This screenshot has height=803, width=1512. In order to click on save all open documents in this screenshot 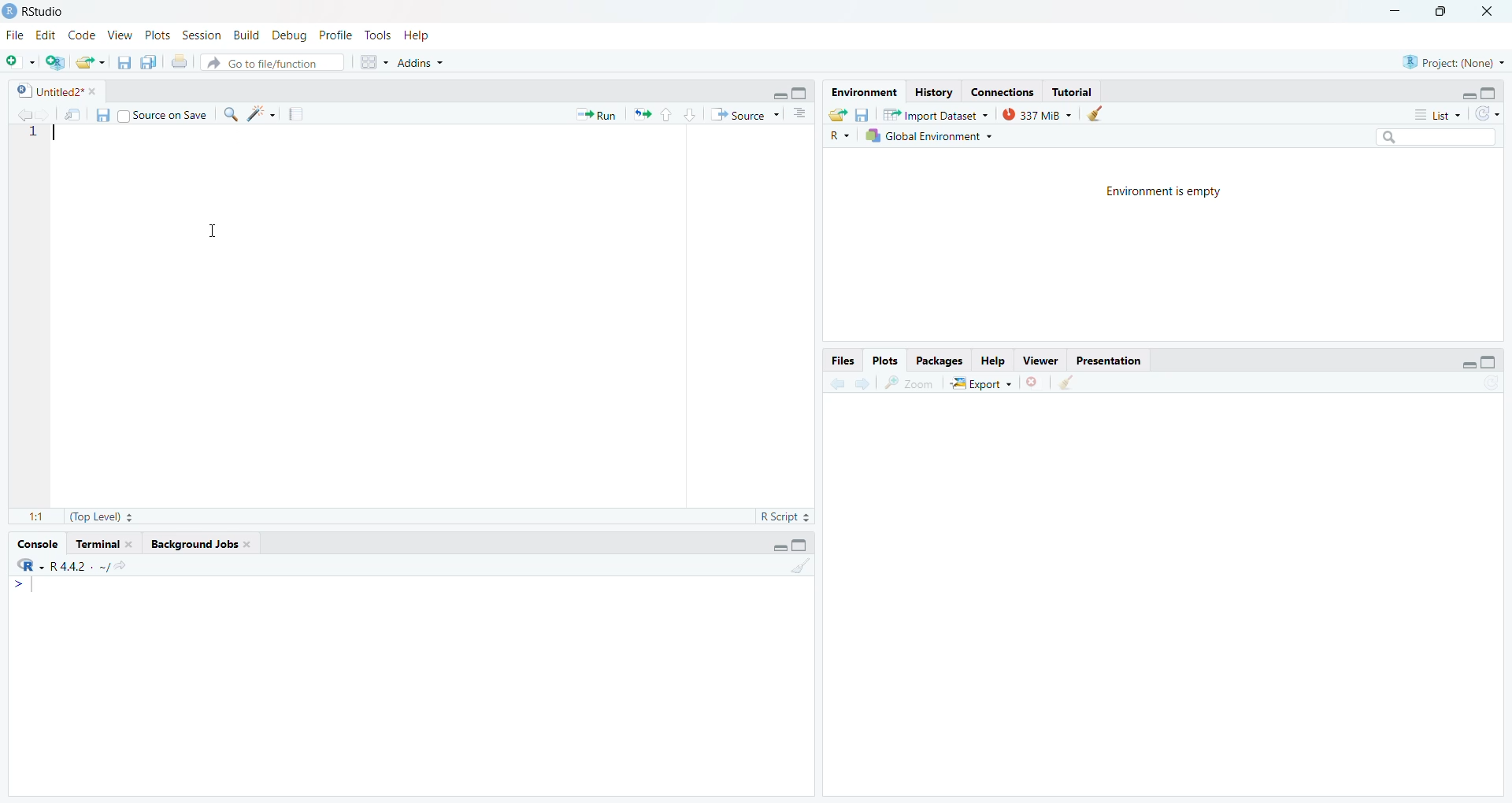, I will do `click(149, 62)`.